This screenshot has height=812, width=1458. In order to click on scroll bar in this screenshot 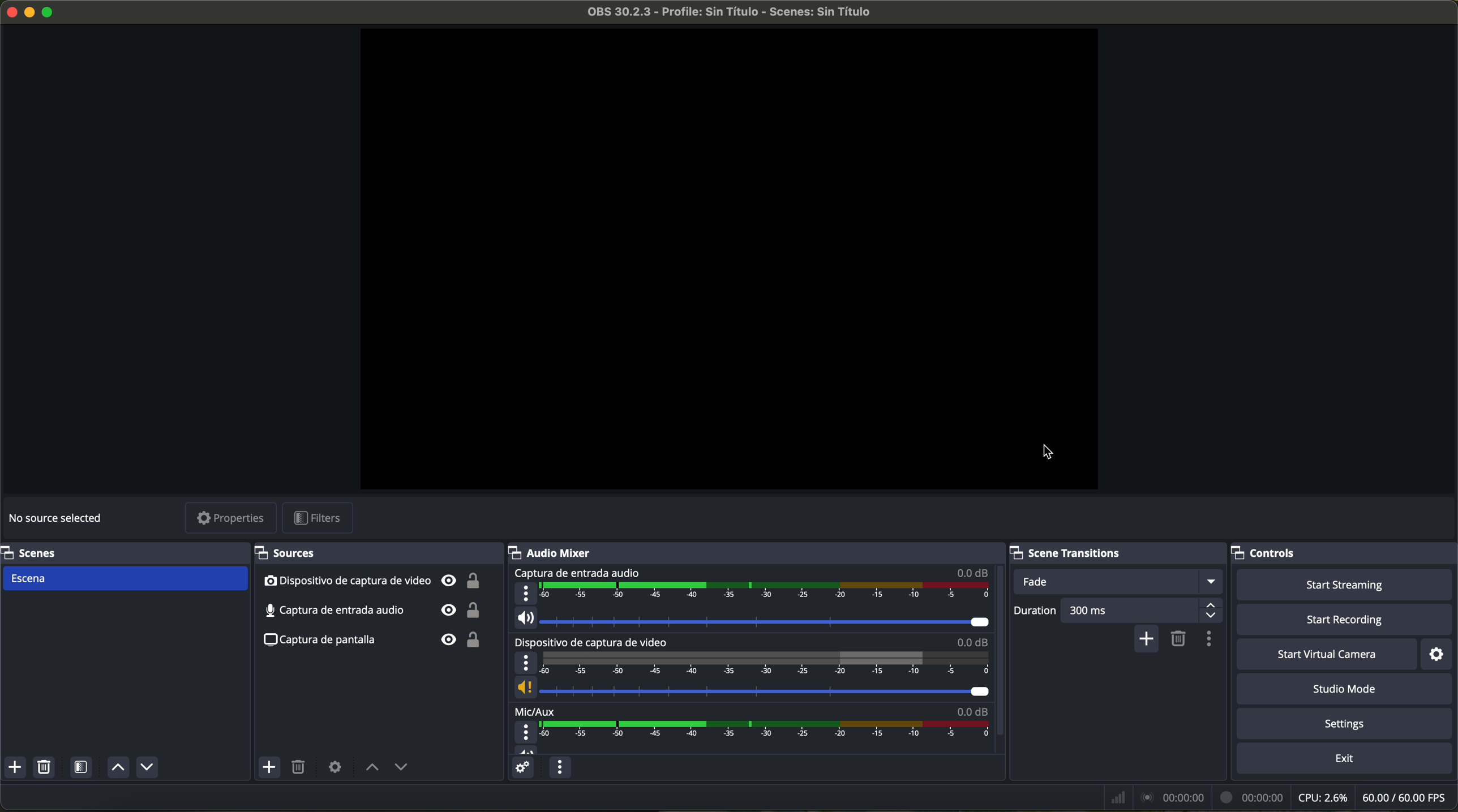, I will do `click(998, 651)`.